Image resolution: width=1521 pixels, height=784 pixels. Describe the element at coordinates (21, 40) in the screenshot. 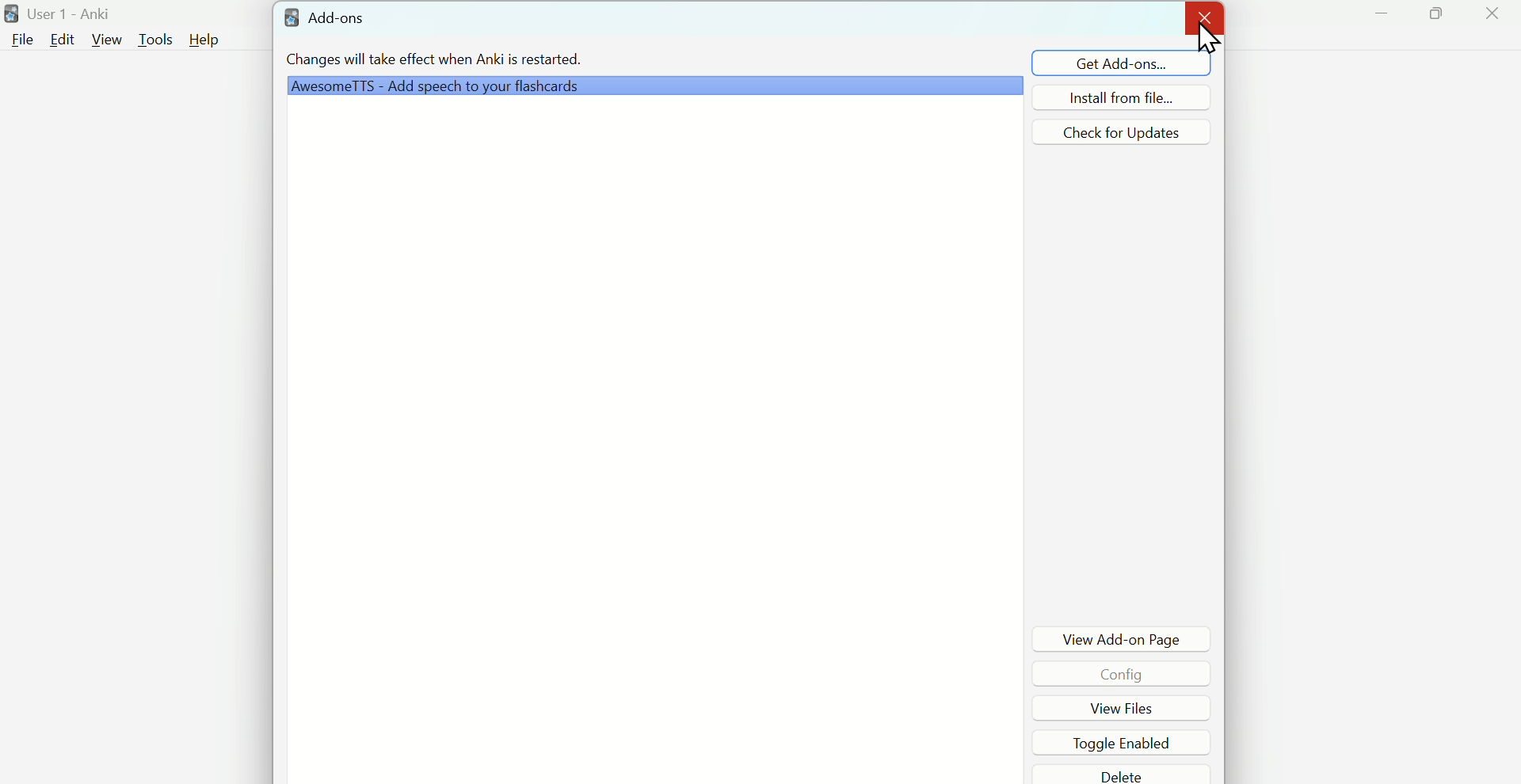

I see `File` at that location.